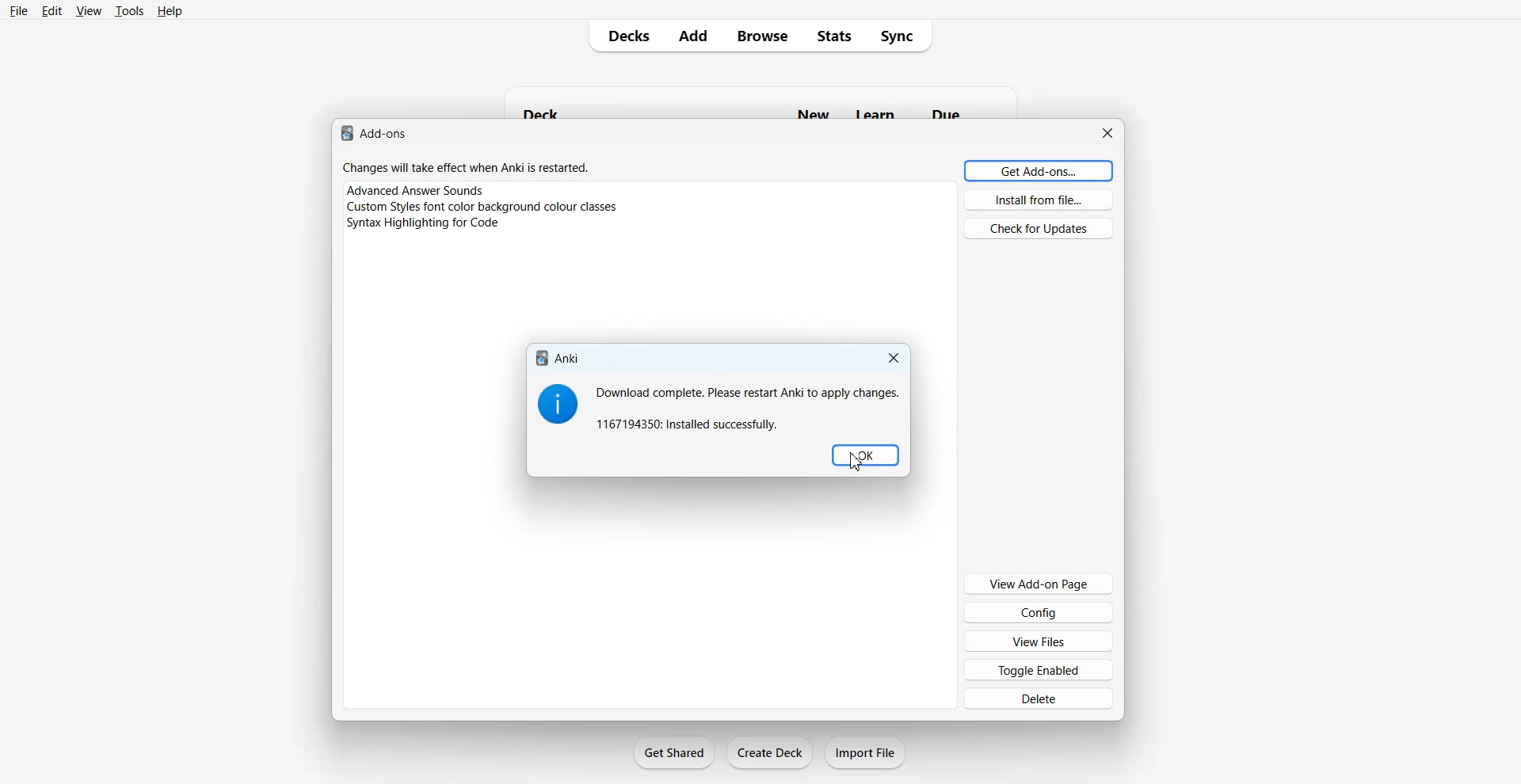 The image size is (1521, 784). Describe the element at coordinates (377, 133) in the screenshot. I see `Add-ons.` at that location.